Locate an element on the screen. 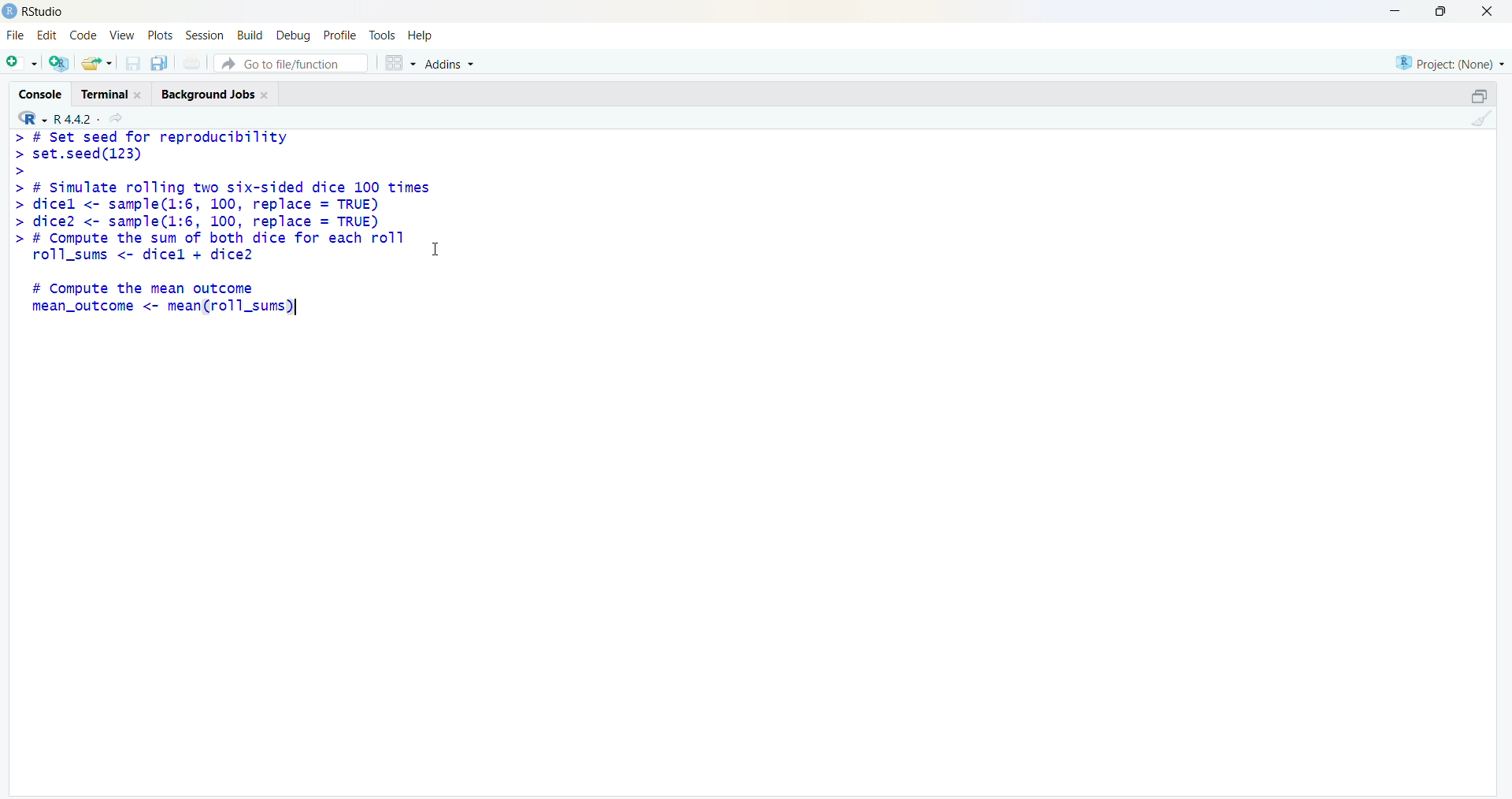 Image resolution: width=1512 pixels, height=799 pixels. edit is located at coordinates (47, 35).